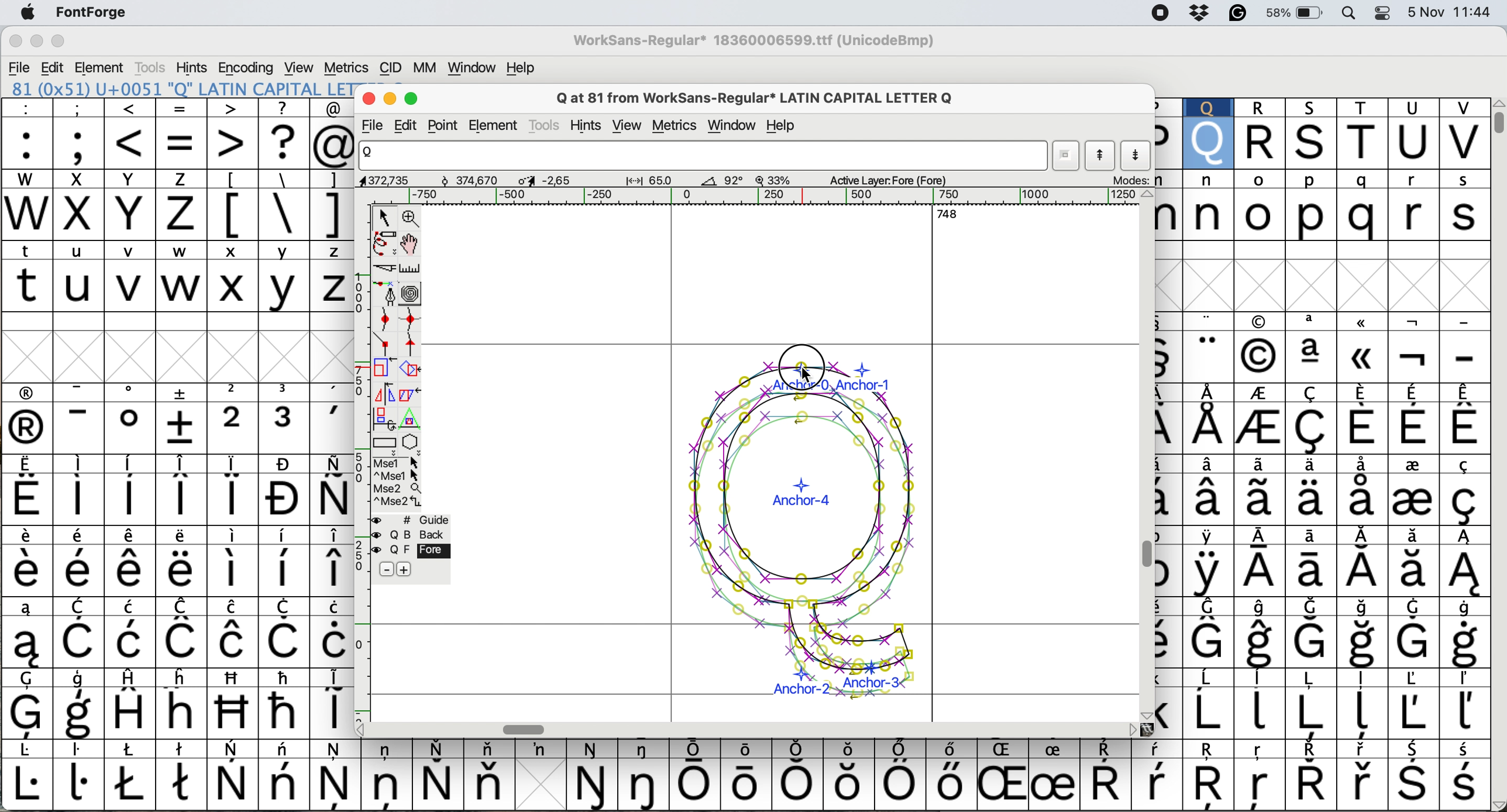 The image size is (1507, 812). What do you see at coordinates (386, 245) in the screenshot?
I see `draw freehand scale` at bounding box center [386, 245].